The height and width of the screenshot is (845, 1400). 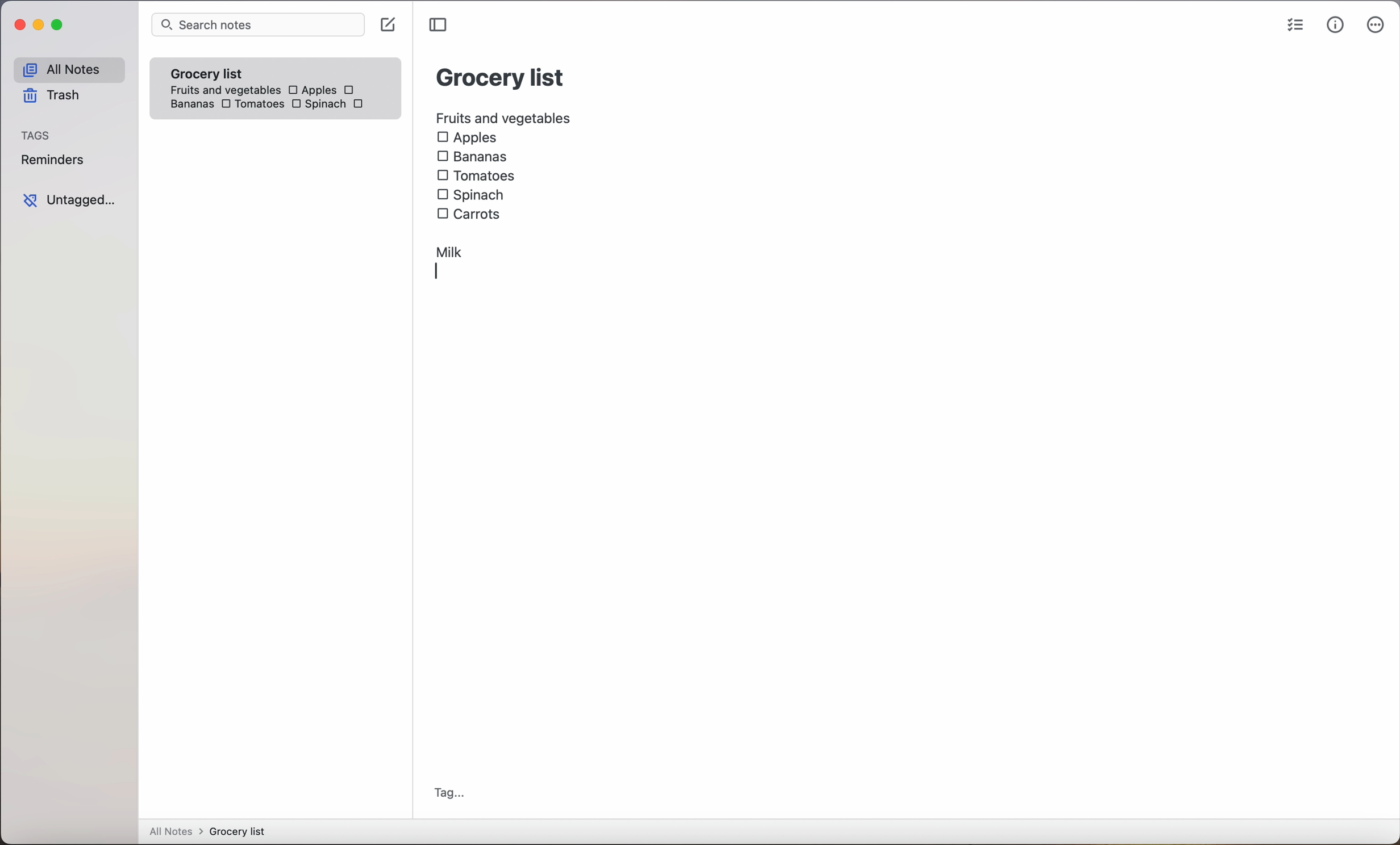 I want to click on checklist, so click(x=1293, y=27).